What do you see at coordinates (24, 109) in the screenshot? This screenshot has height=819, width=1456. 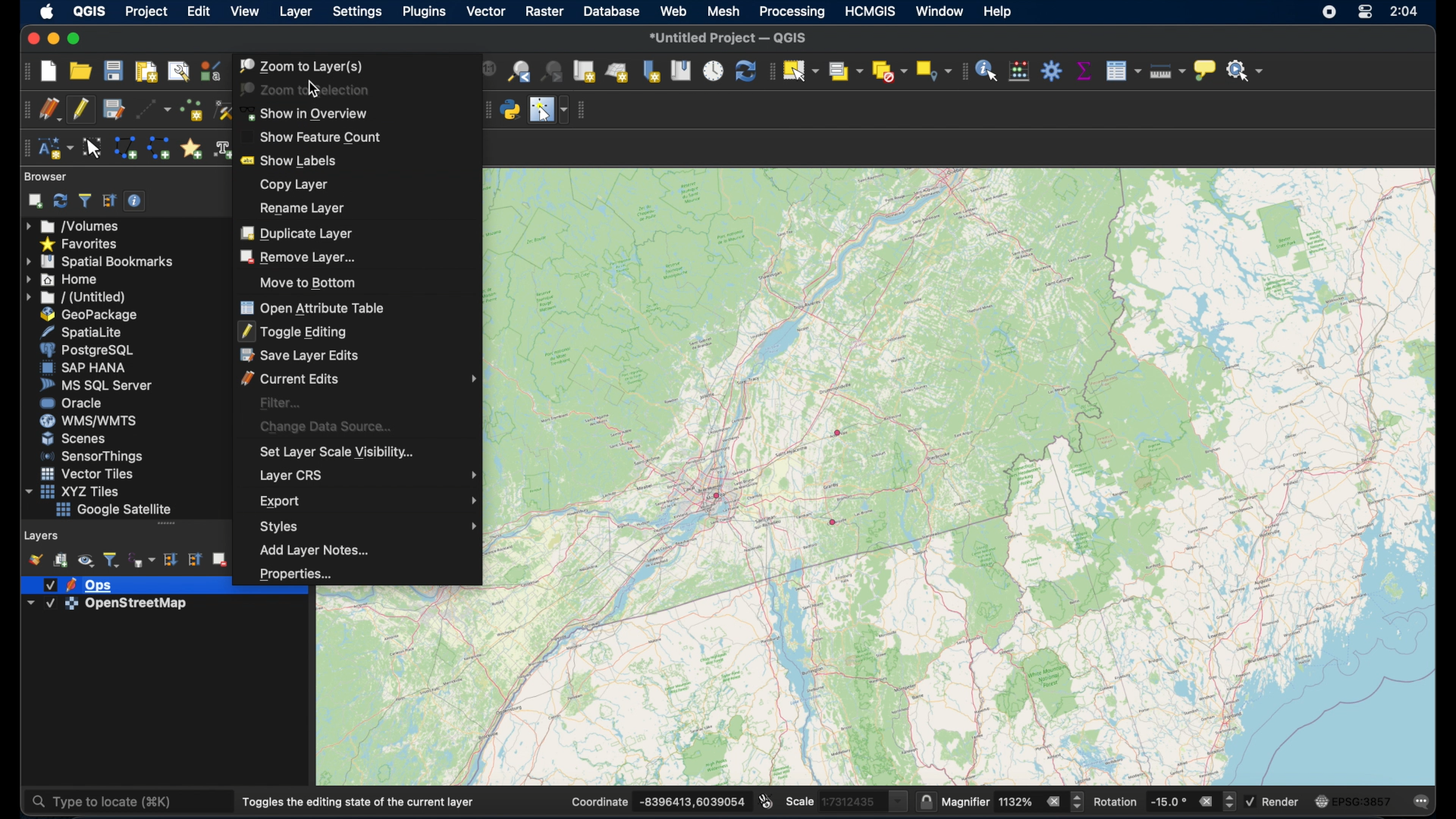 I see `digitizing toolbar` at bounding box center [24, 109].